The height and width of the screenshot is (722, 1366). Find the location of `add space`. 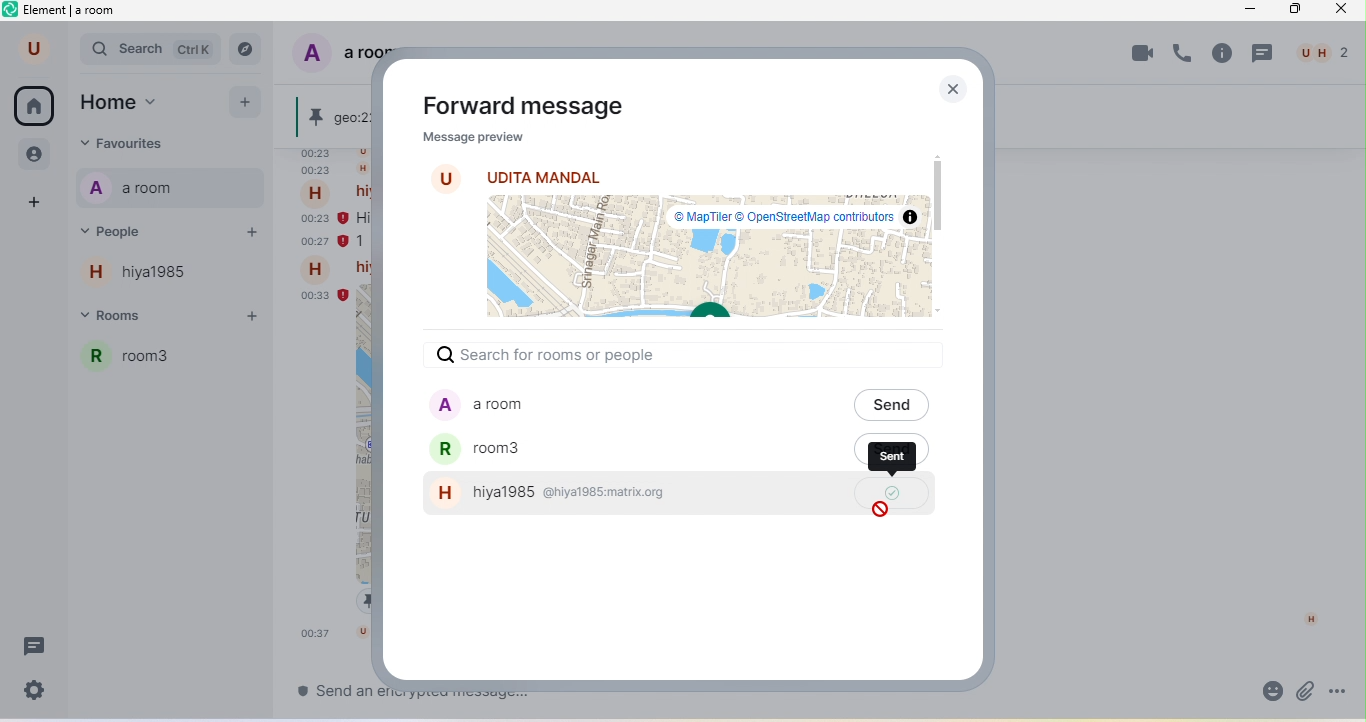

add space is located at coordinates (31, 202).